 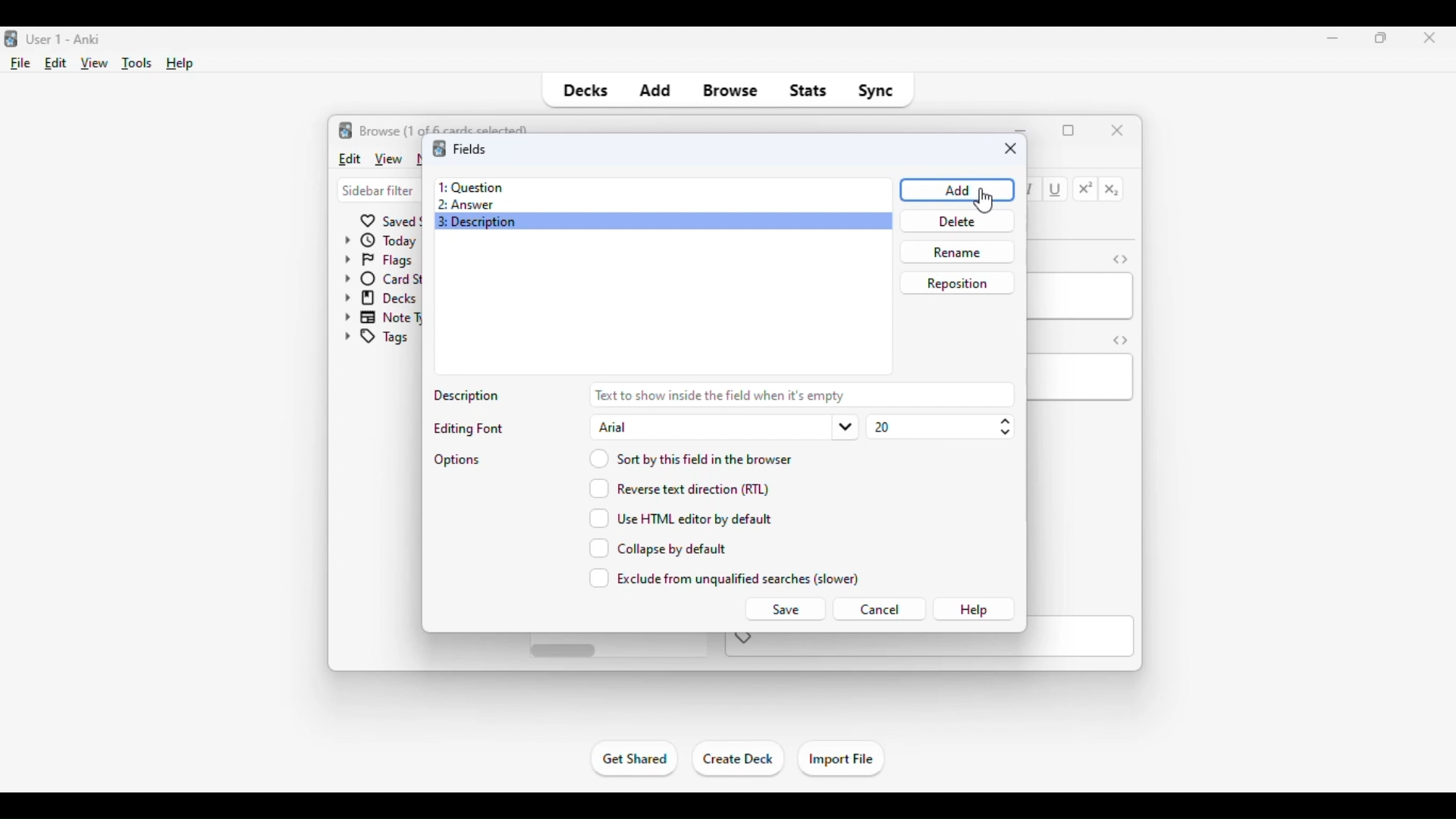 What do you see at coordinates (1056, 190) in the screenshot?
I see `underline` at bounding box center [1056, 190].